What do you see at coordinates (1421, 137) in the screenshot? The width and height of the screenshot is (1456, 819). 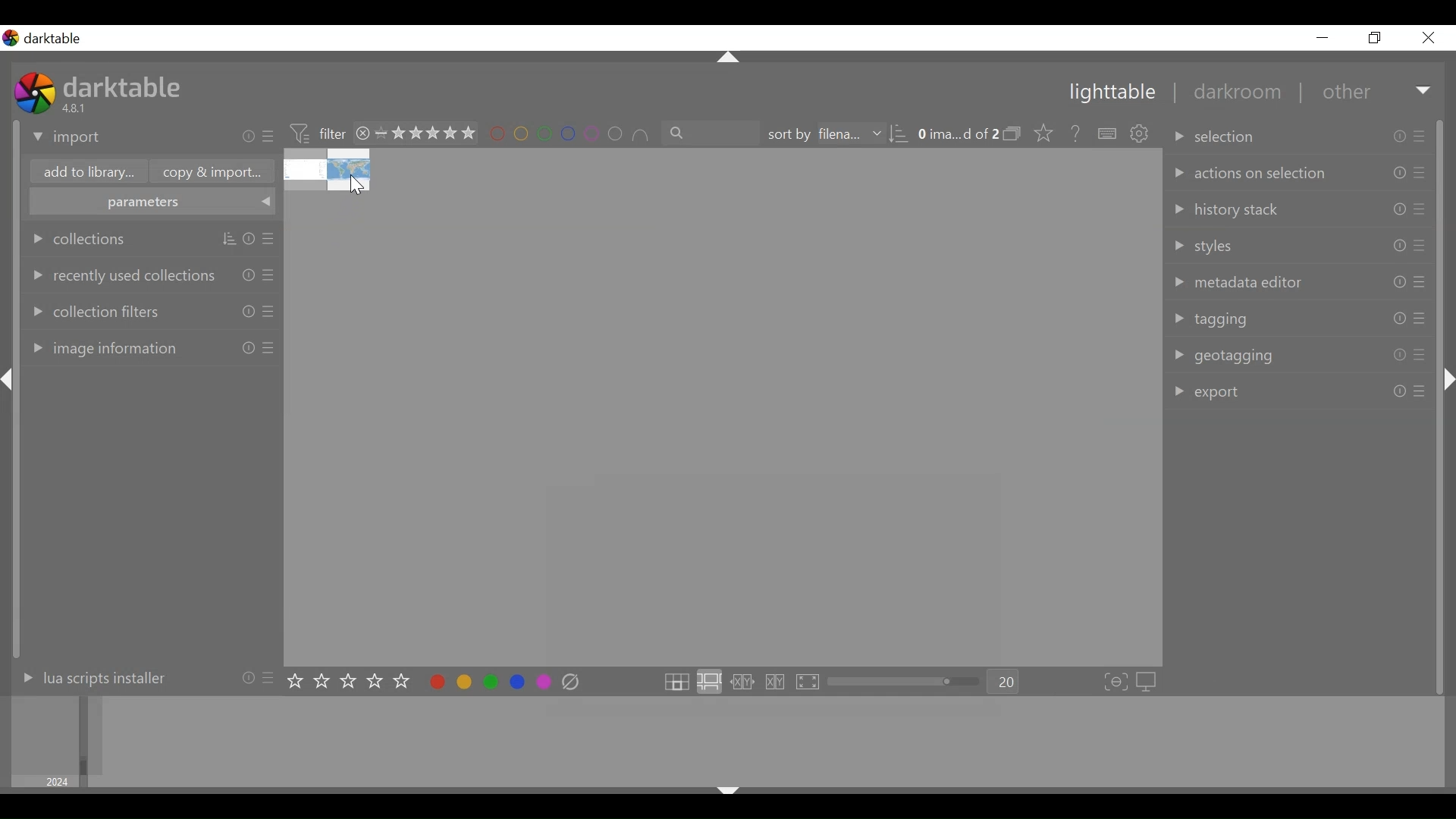 I see `` at bounding box center [1421, 137].